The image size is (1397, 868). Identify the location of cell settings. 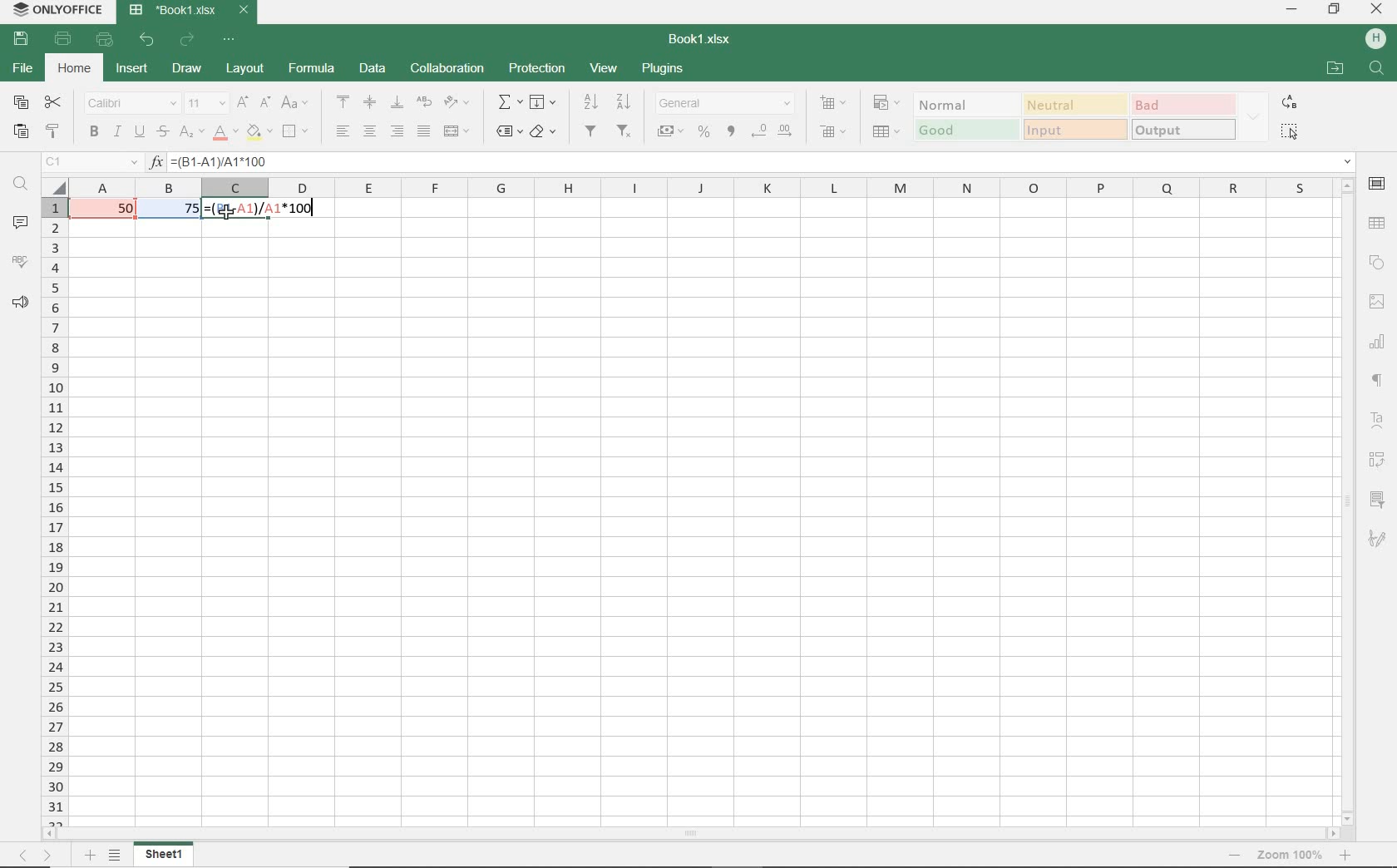
(1377, 185).